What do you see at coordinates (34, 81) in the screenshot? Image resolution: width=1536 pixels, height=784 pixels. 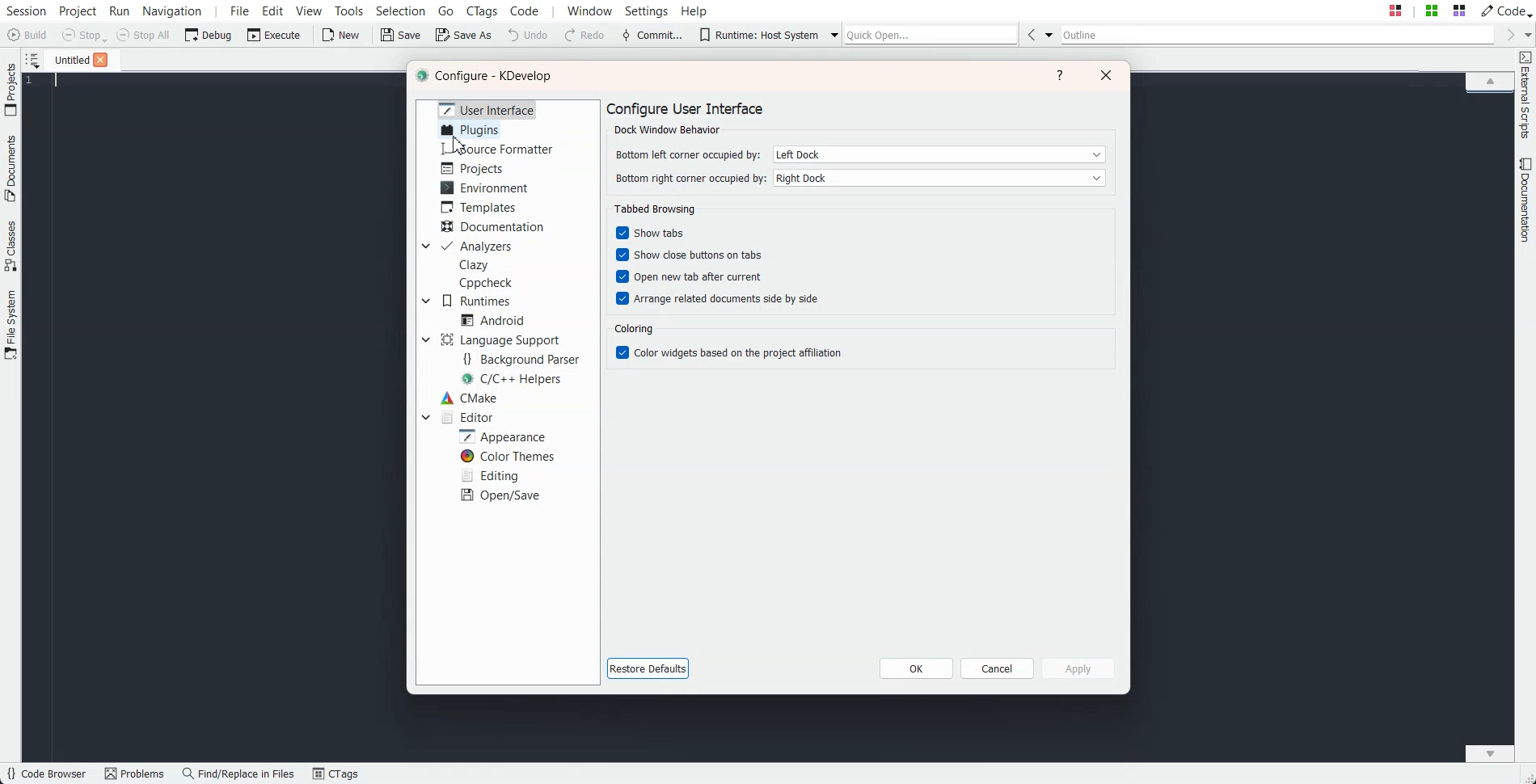 I see `Number line` at bounding box center [34, 81].